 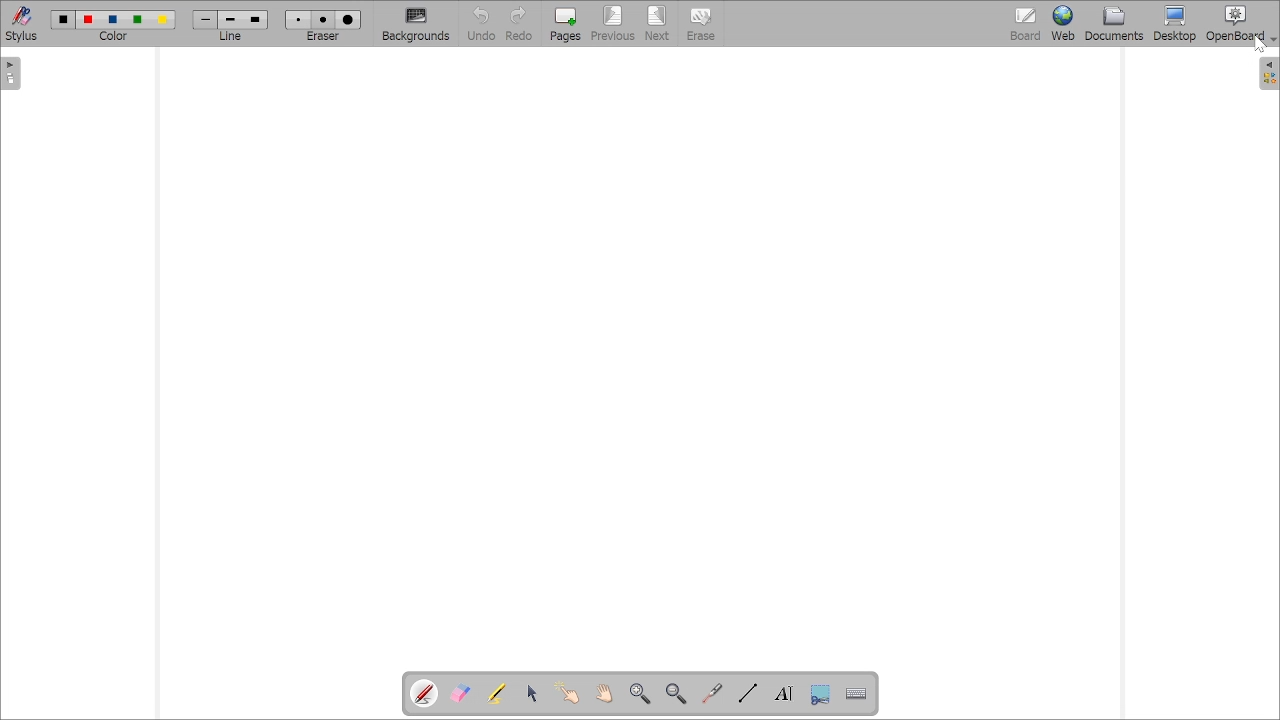 I want to click on Draw lines, so click(x=747, y=691).